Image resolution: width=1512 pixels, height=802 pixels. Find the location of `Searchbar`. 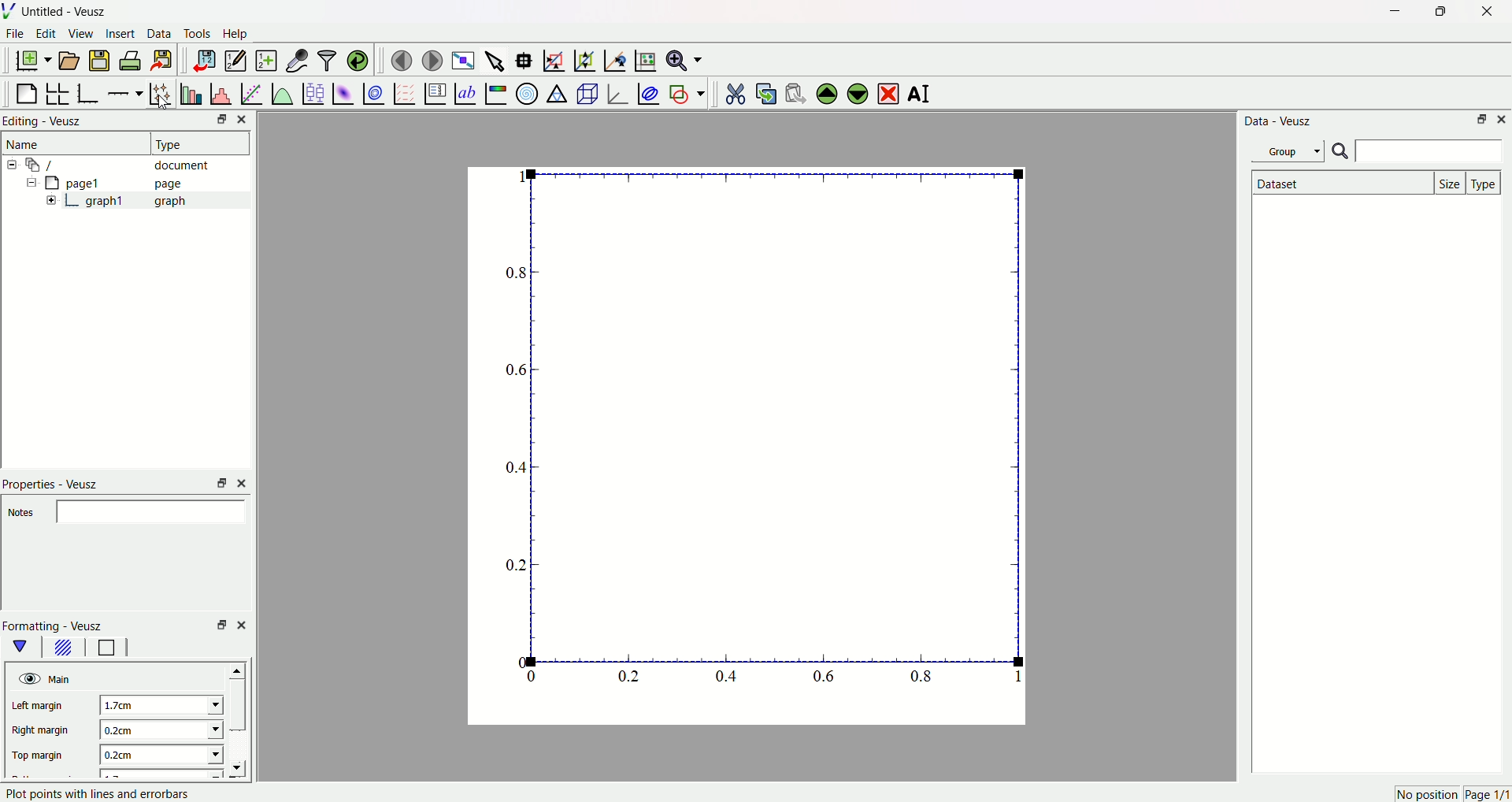

Searchbar is located at coordinates (1417, 152).